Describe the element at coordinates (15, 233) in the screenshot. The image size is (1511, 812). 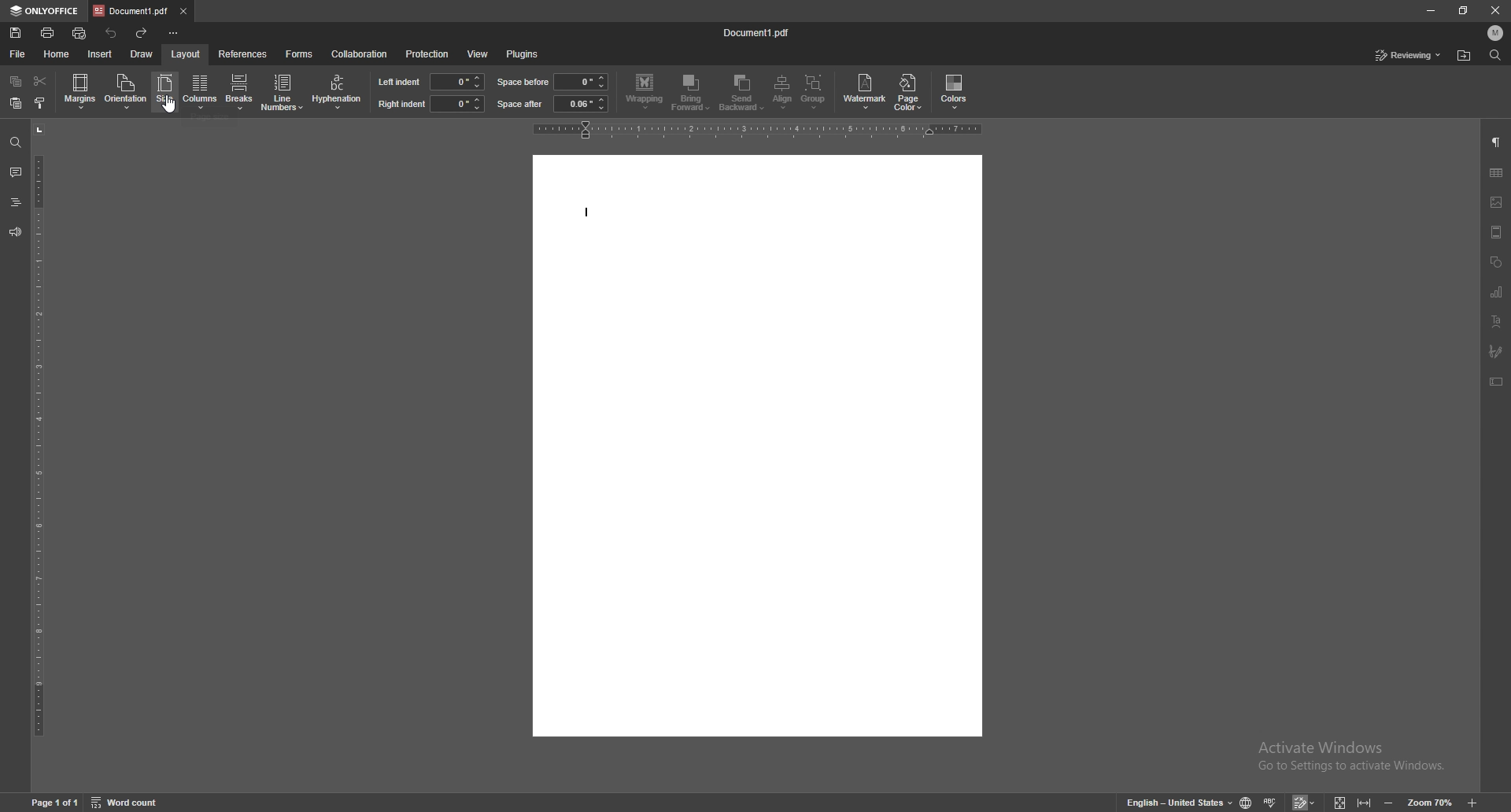
I see `feedback` at that location.